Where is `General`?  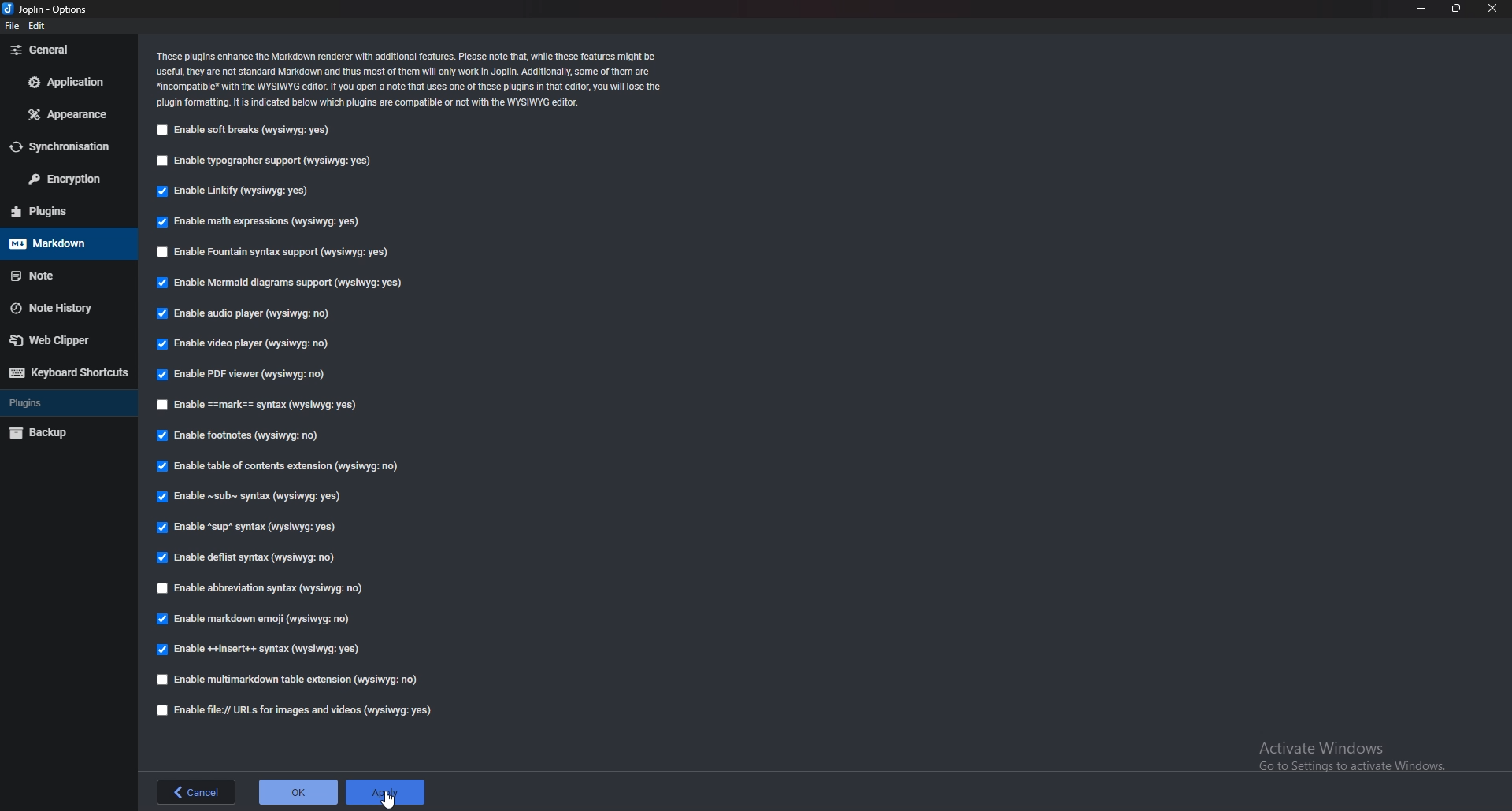
General is located at coordinates (65, 50).